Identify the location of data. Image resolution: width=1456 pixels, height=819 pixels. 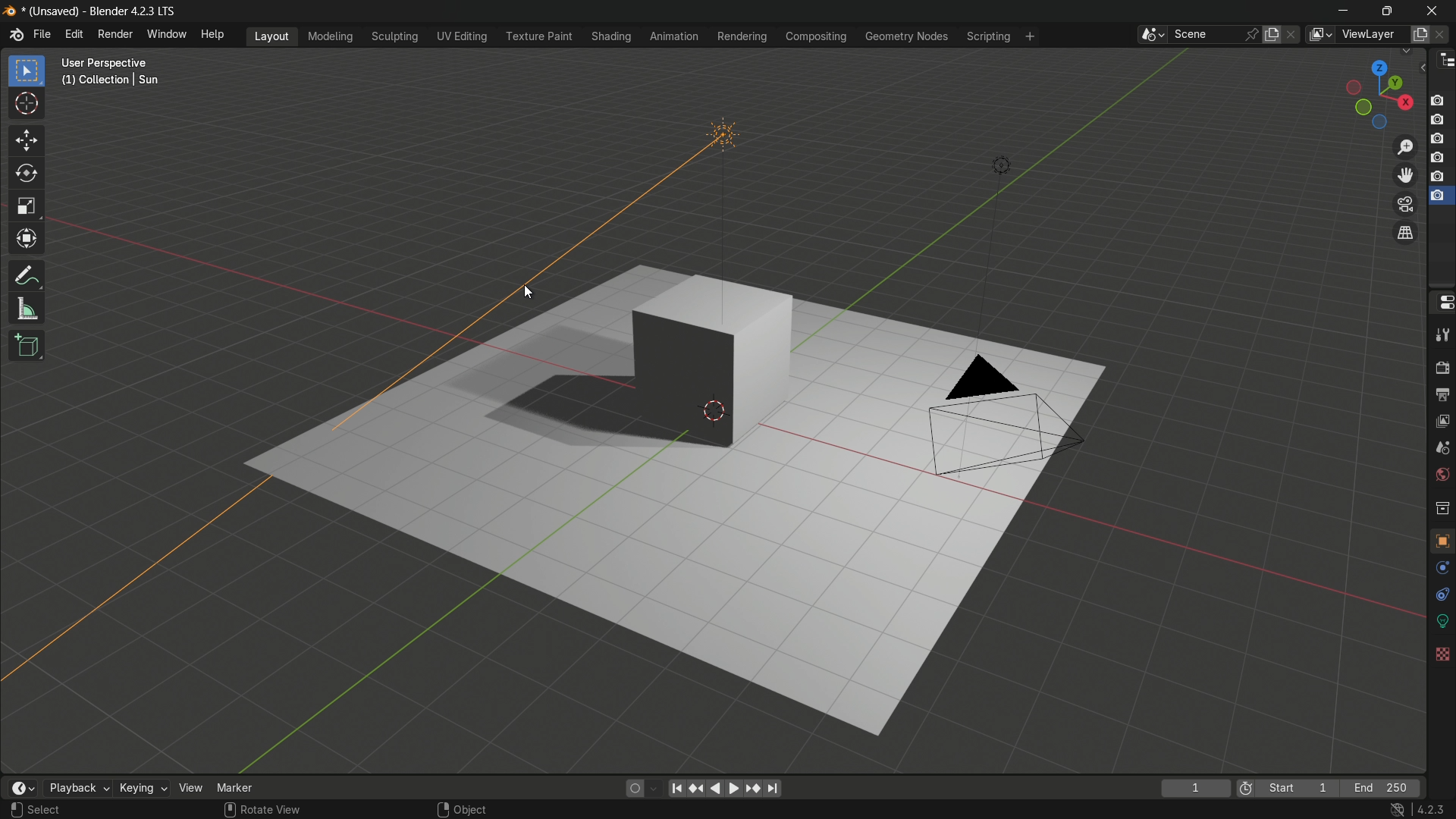
(1442, 620).